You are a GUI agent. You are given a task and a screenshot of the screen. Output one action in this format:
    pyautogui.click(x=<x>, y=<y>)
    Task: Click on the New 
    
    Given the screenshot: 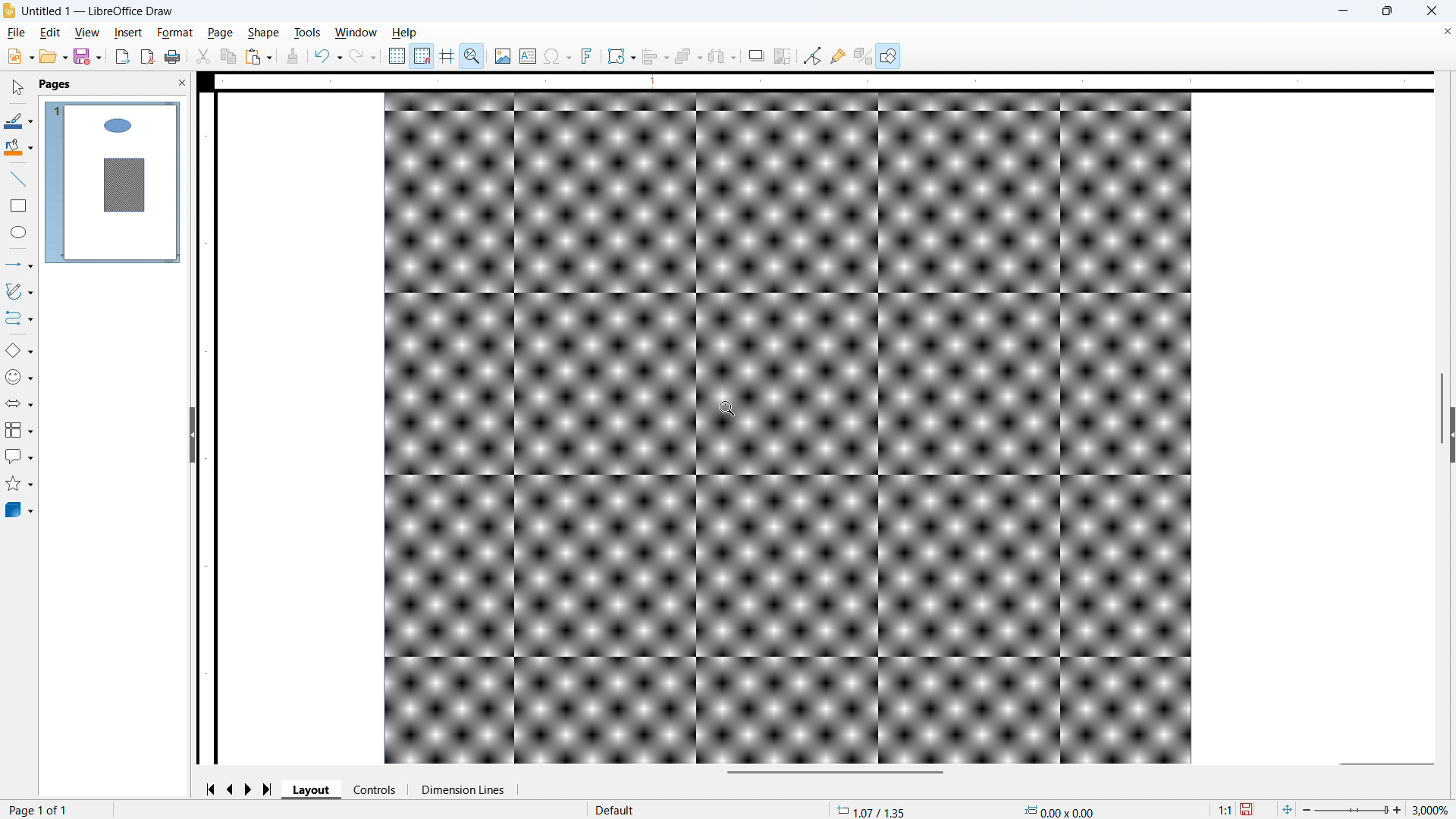 What is the action you would take?
    pyautogui.click(x=19, y=57)
    